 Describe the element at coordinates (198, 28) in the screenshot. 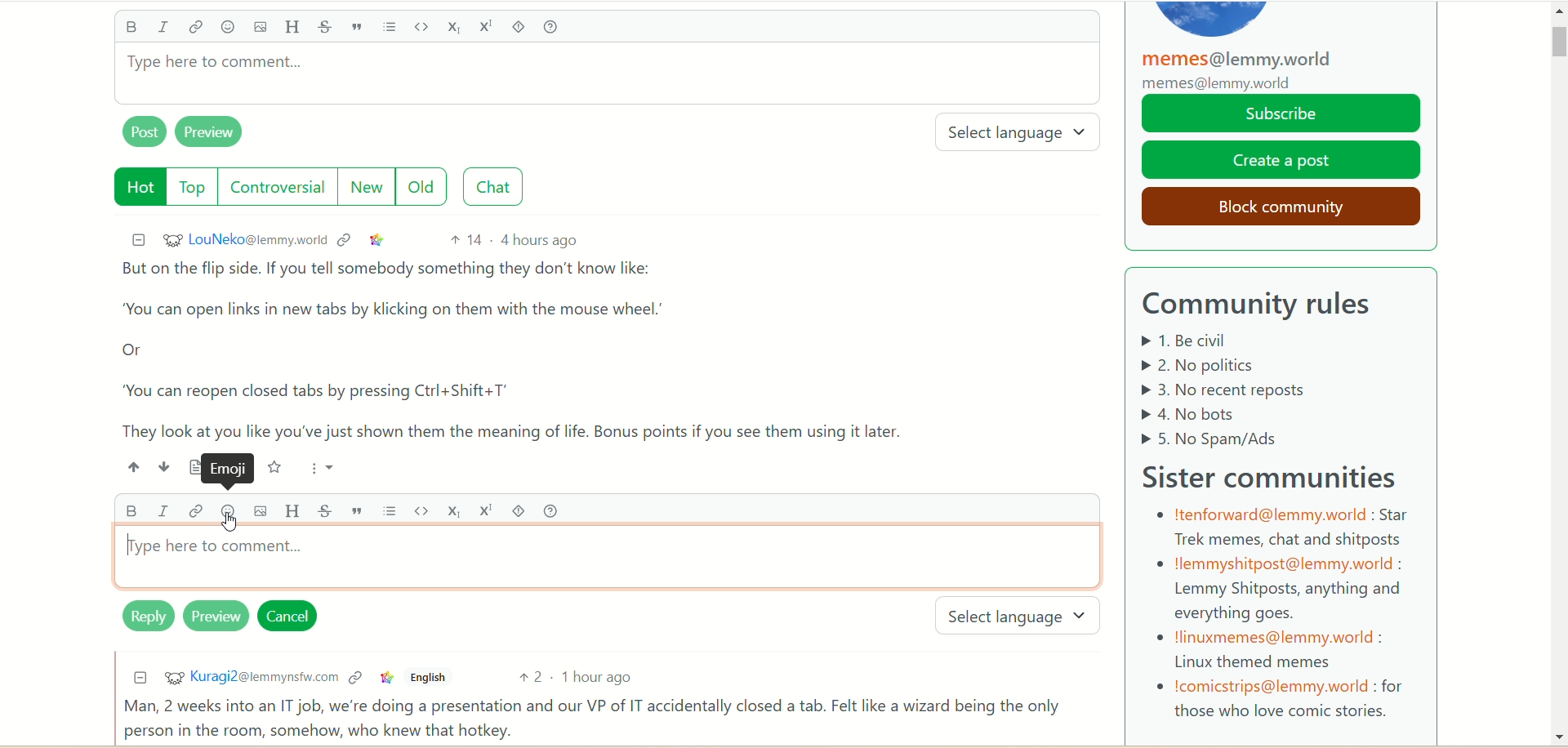

I see `link` at that location.